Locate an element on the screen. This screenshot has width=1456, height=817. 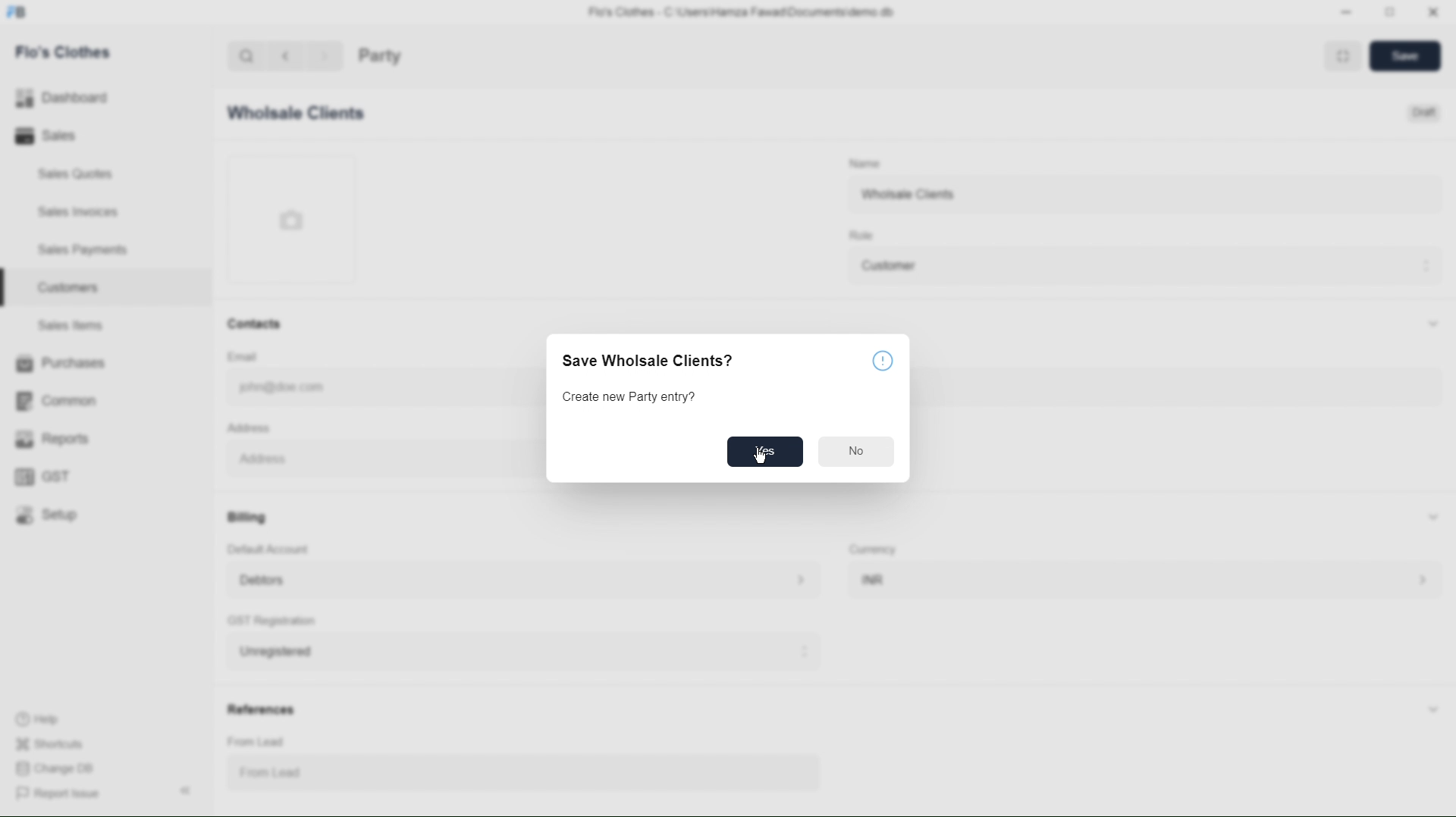
CURSOR is located at coordinates (765, 461).